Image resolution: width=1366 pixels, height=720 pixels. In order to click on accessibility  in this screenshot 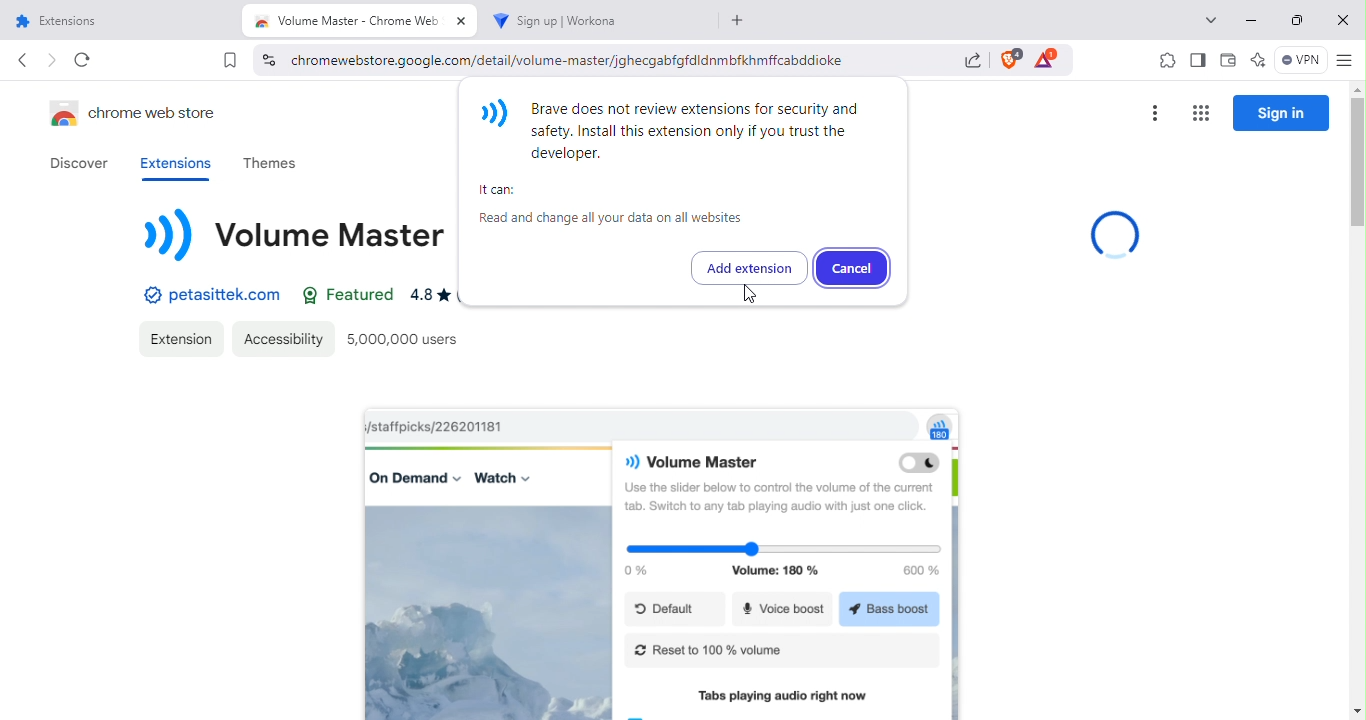, I will do `click(280, 338)`.